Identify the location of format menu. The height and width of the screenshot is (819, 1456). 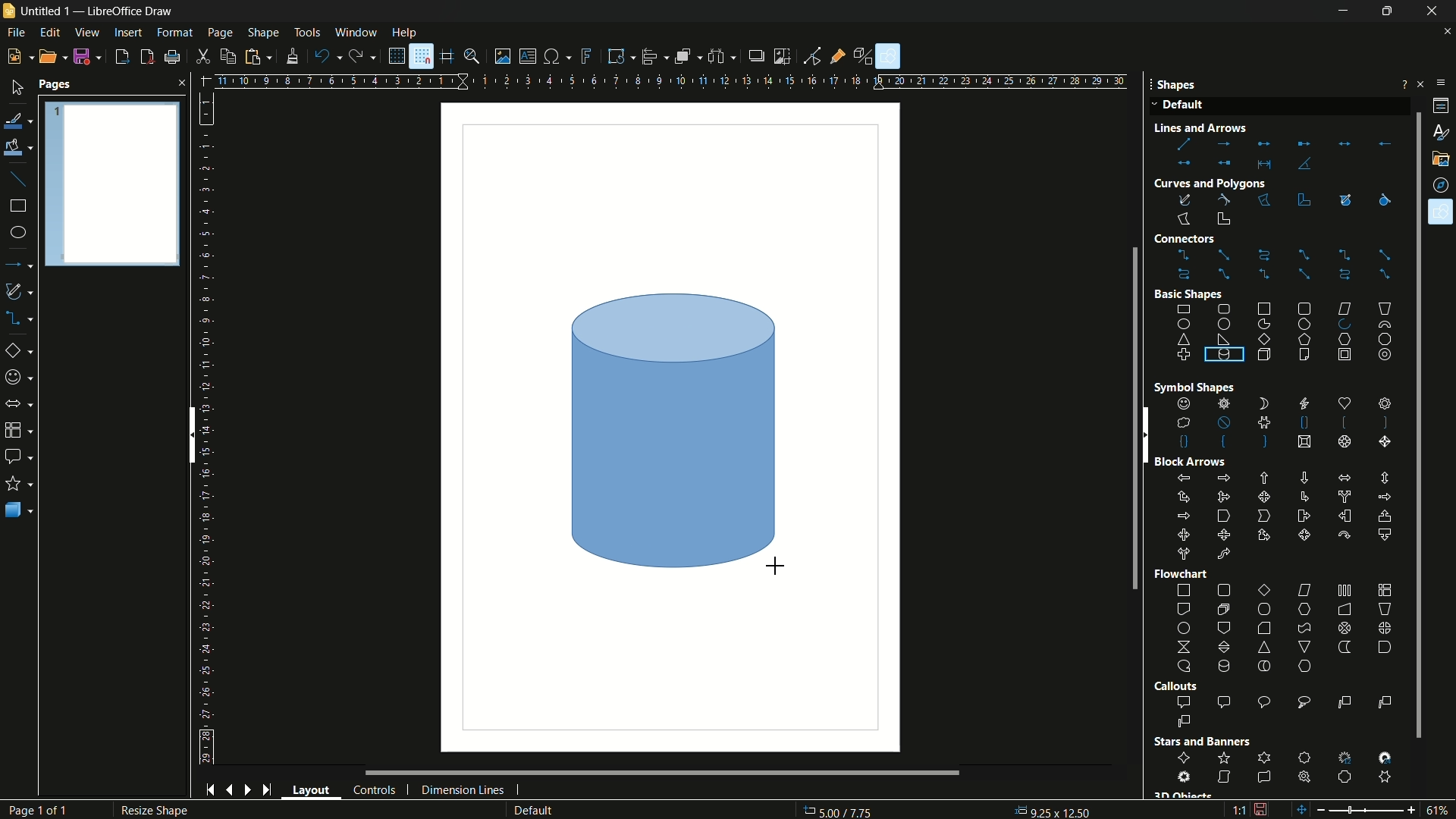
(174, 33).